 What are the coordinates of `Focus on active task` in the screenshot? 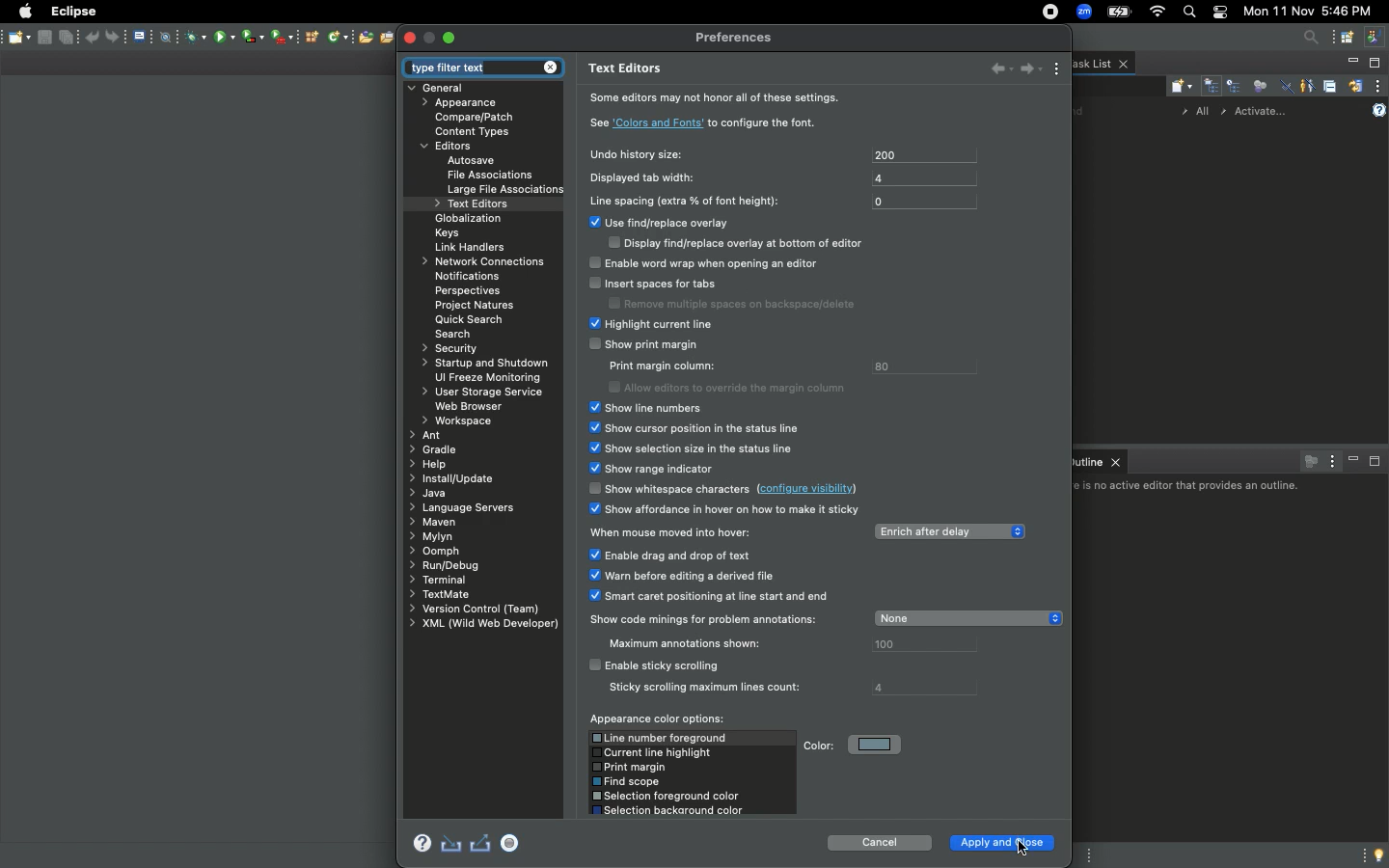 It's located at (1308, 460).